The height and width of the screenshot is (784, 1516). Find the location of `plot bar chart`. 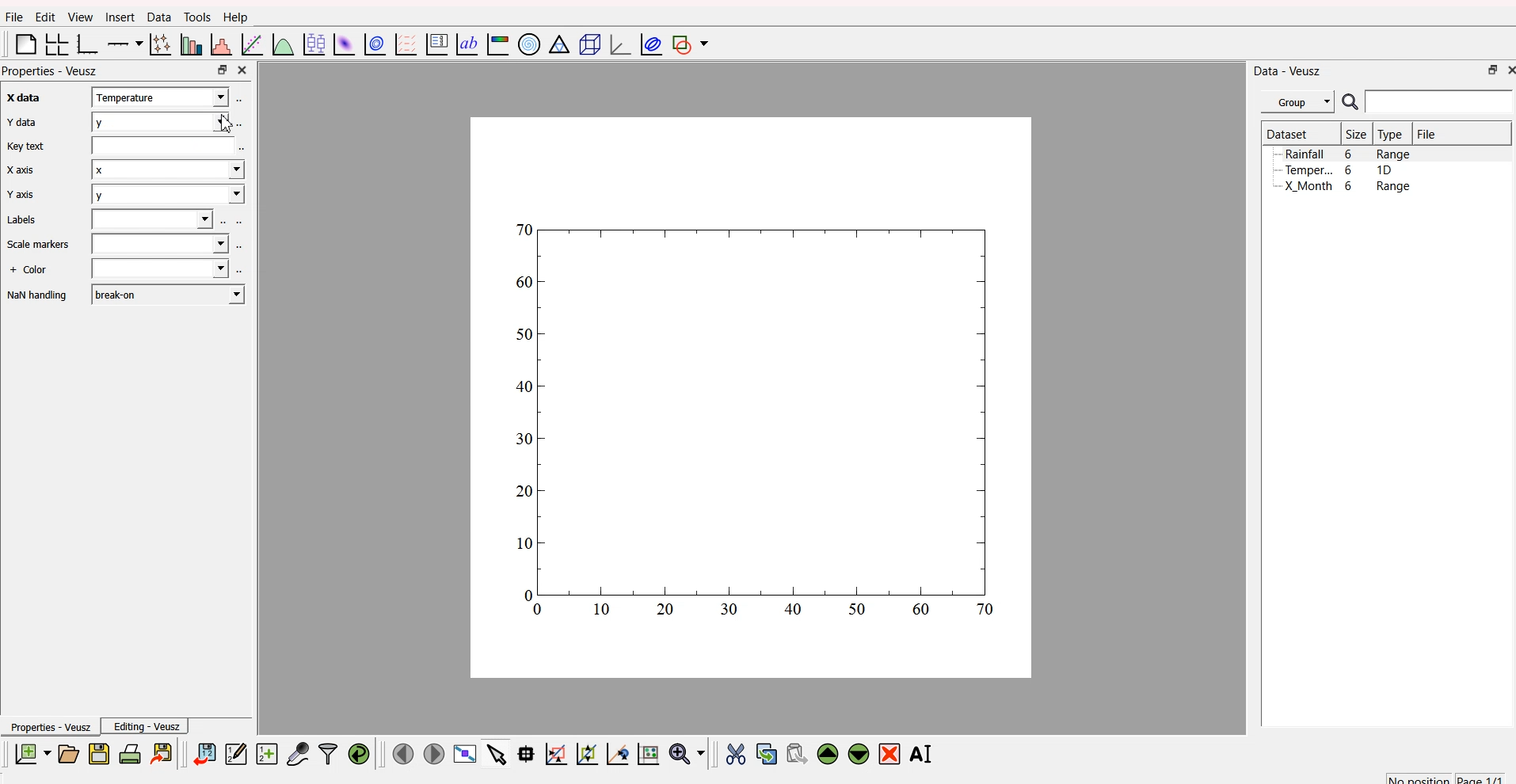

plot bar chart is located at coordinates (189, 44).